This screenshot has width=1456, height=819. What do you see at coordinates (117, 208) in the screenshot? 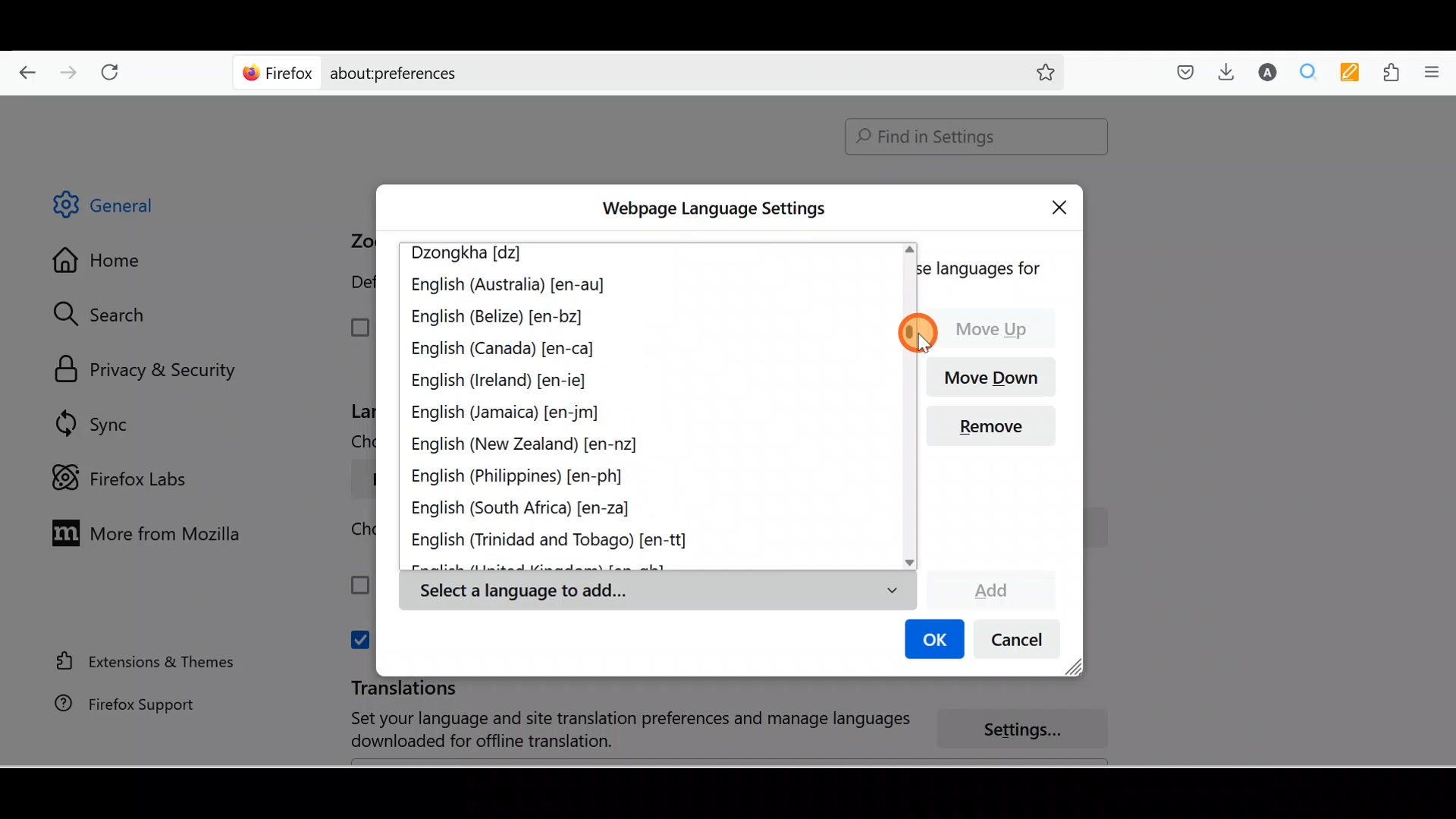
I see `General` at bounding box center [117, 208].